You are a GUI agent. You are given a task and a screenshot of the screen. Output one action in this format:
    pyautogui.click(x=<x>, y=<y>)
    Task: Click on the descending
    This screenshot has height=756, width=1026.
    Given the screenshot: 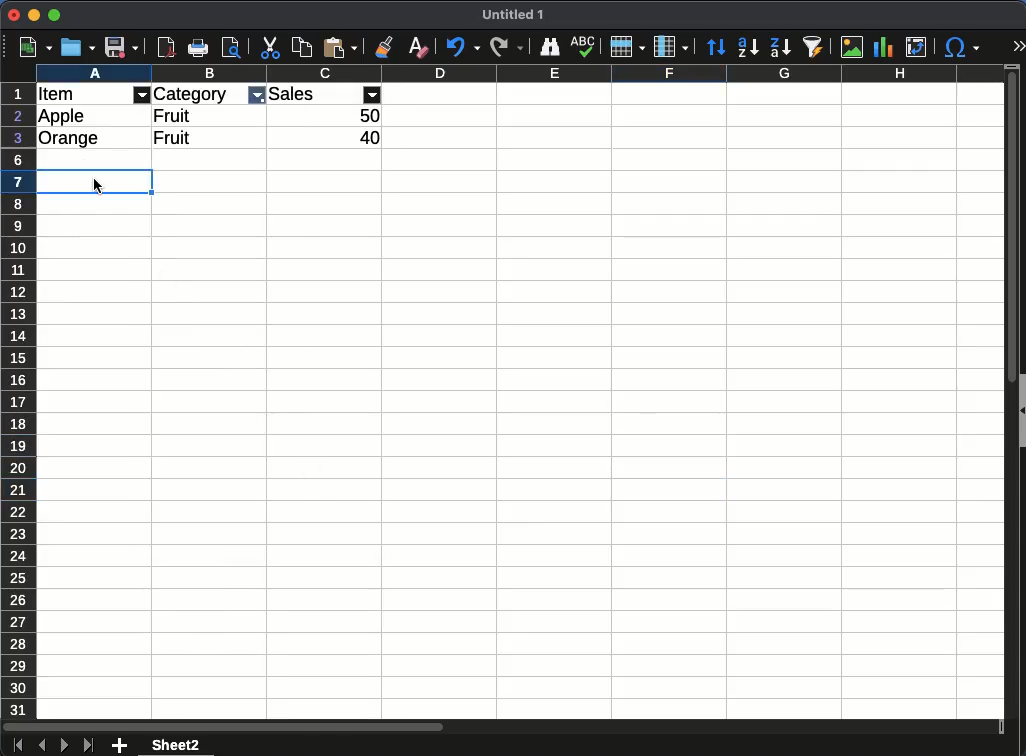 What is the action you would take?
    pyautogui.click(x=747, y=48)
    